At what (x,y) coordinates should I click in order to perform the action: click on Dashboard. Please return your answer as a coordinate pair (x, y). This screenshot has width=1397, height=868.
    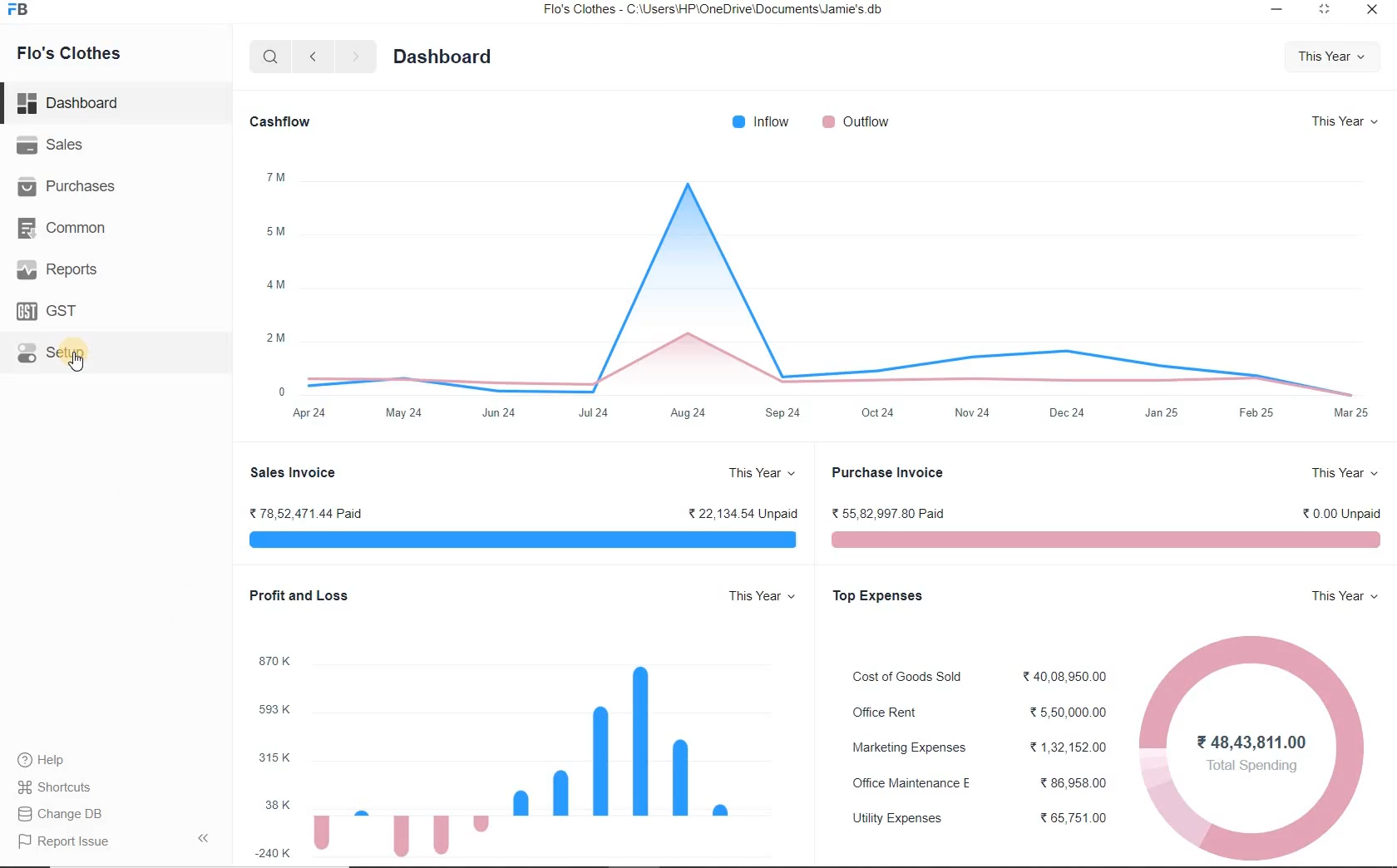
    Looking at the image, I should click on (74, 101).